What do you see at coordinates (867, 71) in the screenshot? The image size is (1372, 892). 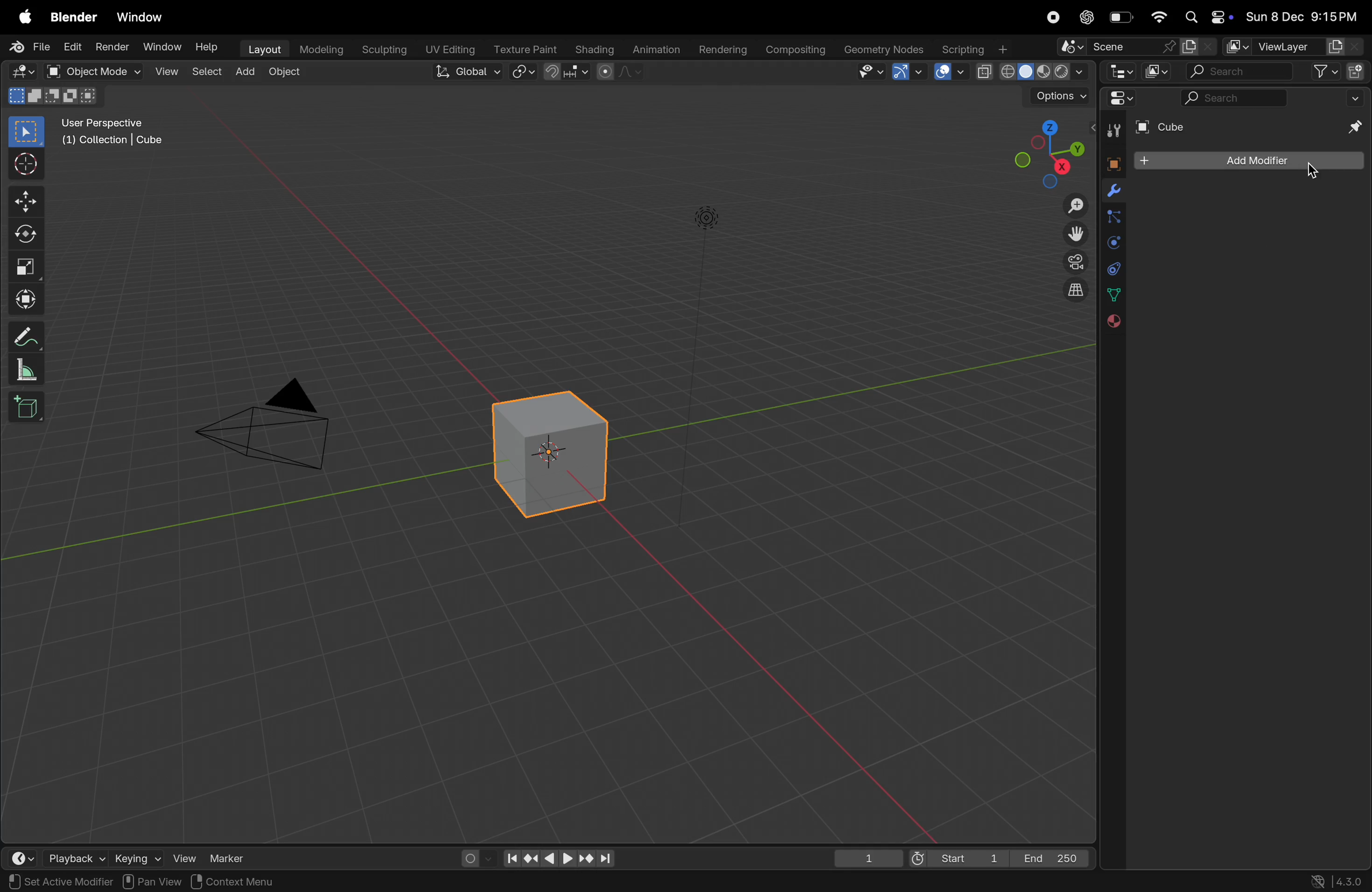 I see `selectibality` at bounding box center [867, 71].